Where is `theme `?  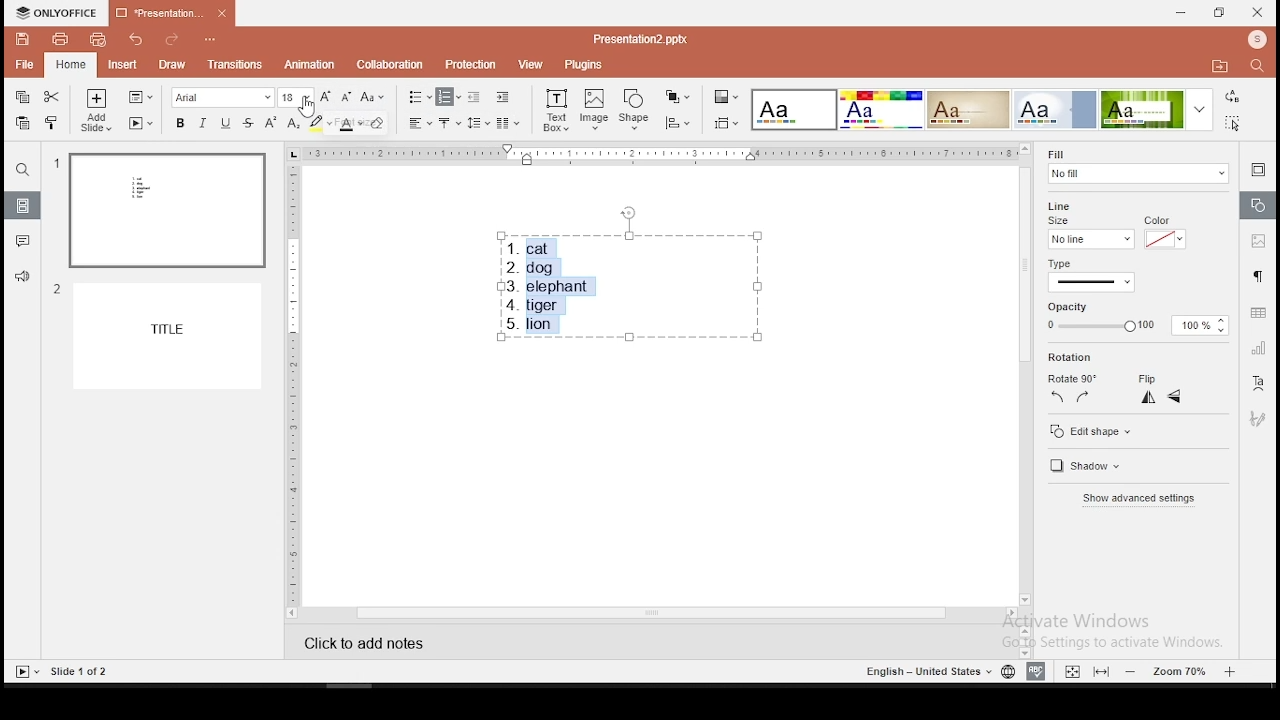
theme  is located at coordinates (1057, 109).